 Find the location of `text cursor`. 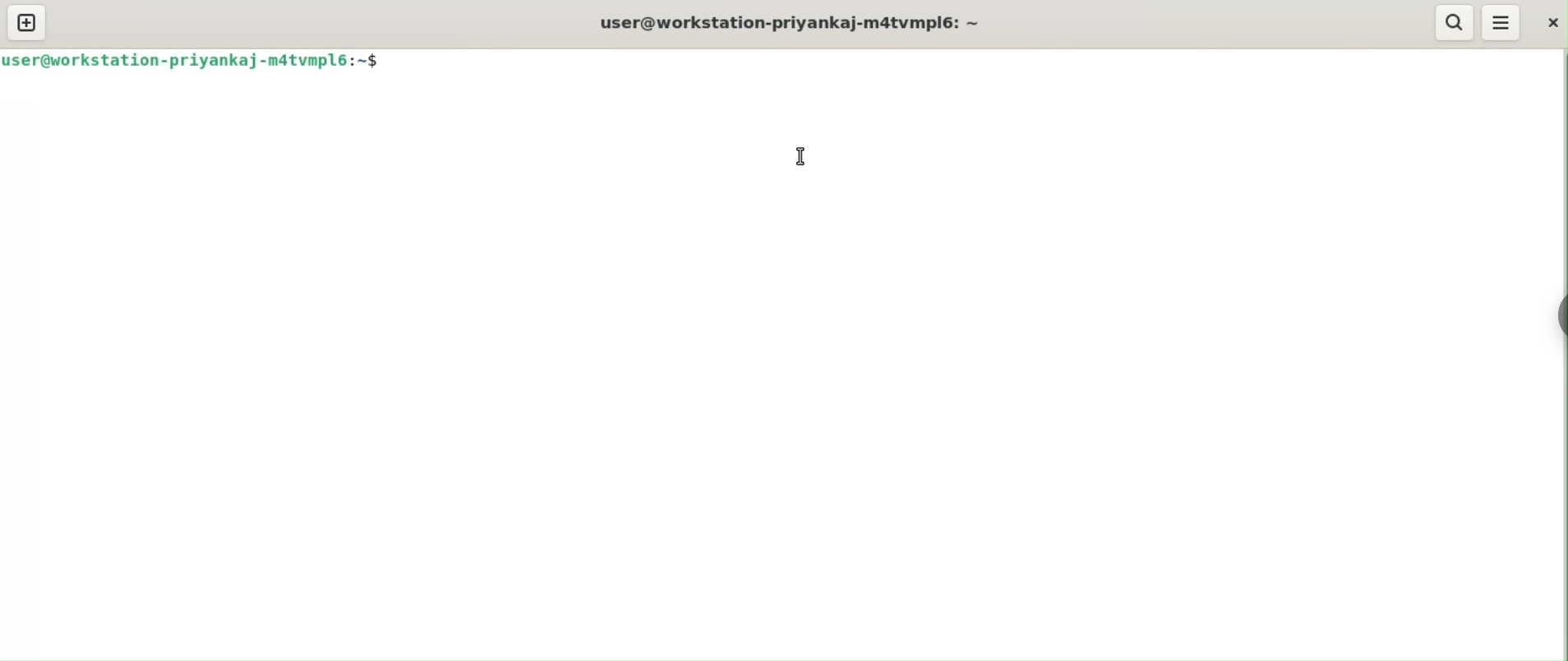

text cursor is located at coordinates (798, 153).